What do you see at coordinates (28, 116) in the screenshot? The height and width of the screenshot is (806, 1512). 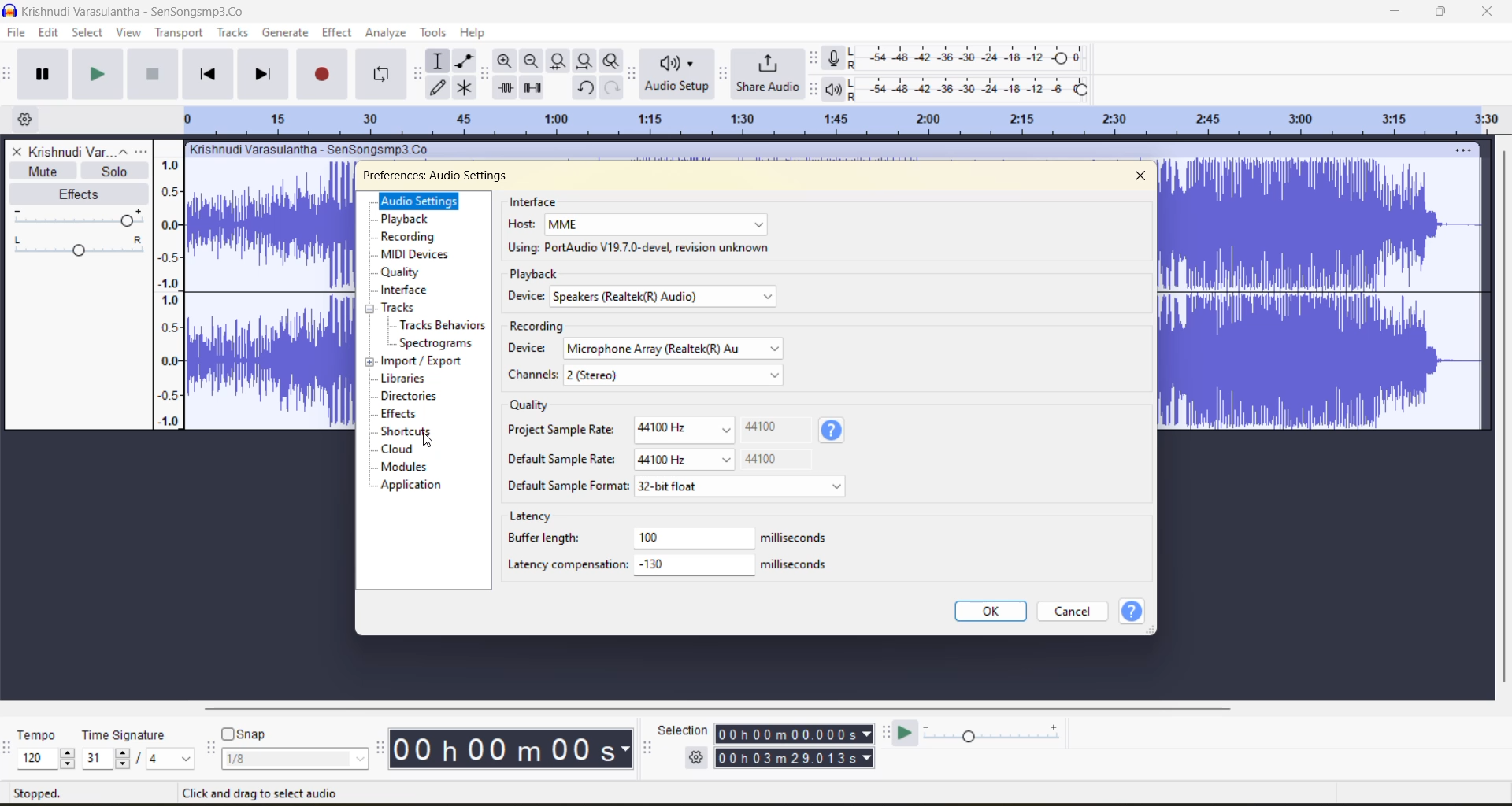 I see `Timeline options` at bounding box center [28, 116].